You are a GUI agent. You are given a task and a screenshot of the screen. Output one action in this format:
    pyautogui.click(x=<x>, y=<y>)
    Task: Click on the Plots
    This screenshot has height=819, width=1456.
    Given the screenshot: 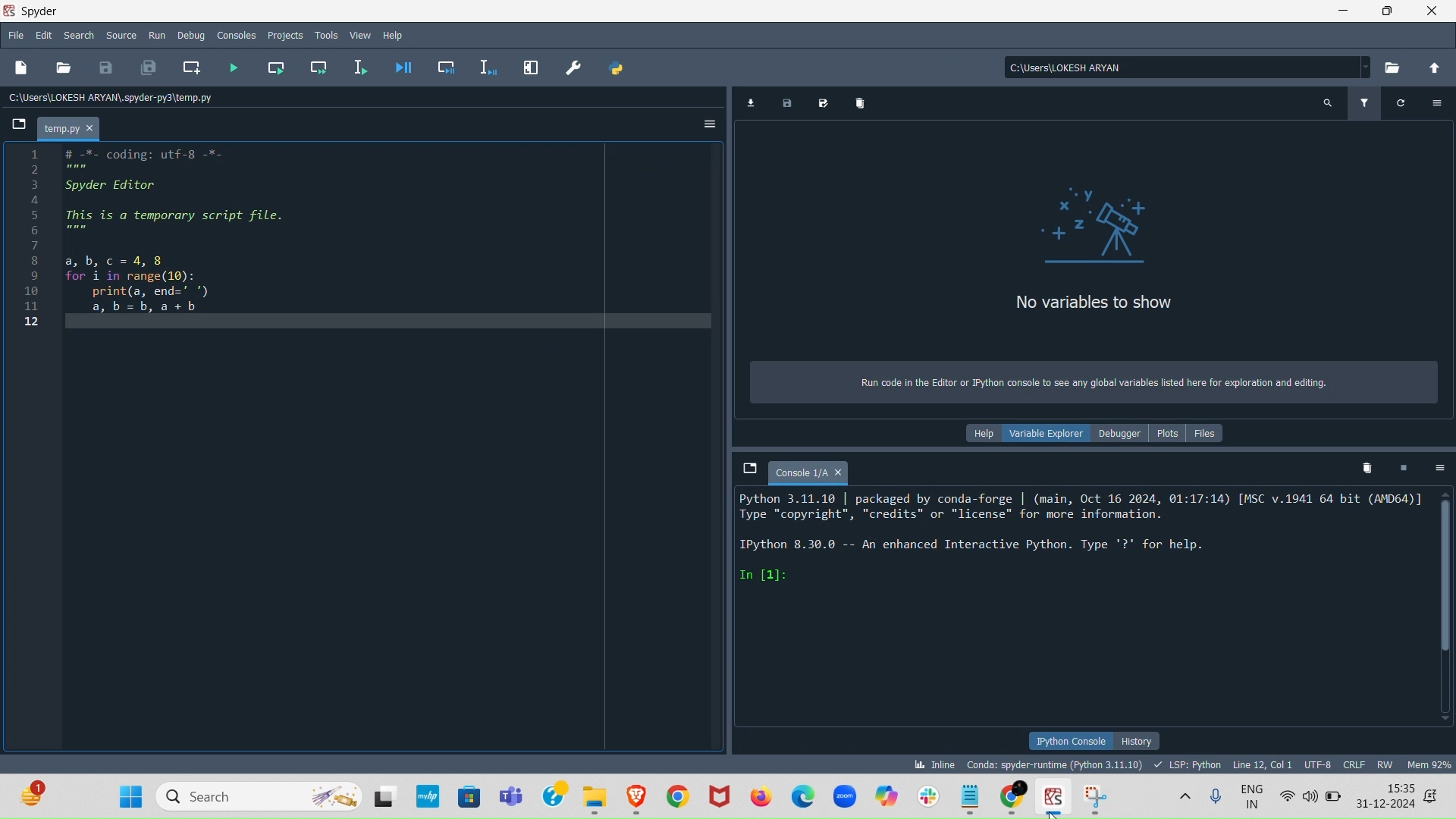 What is the action you would take?
    pyautogui.click(x=1171, y=431)
    